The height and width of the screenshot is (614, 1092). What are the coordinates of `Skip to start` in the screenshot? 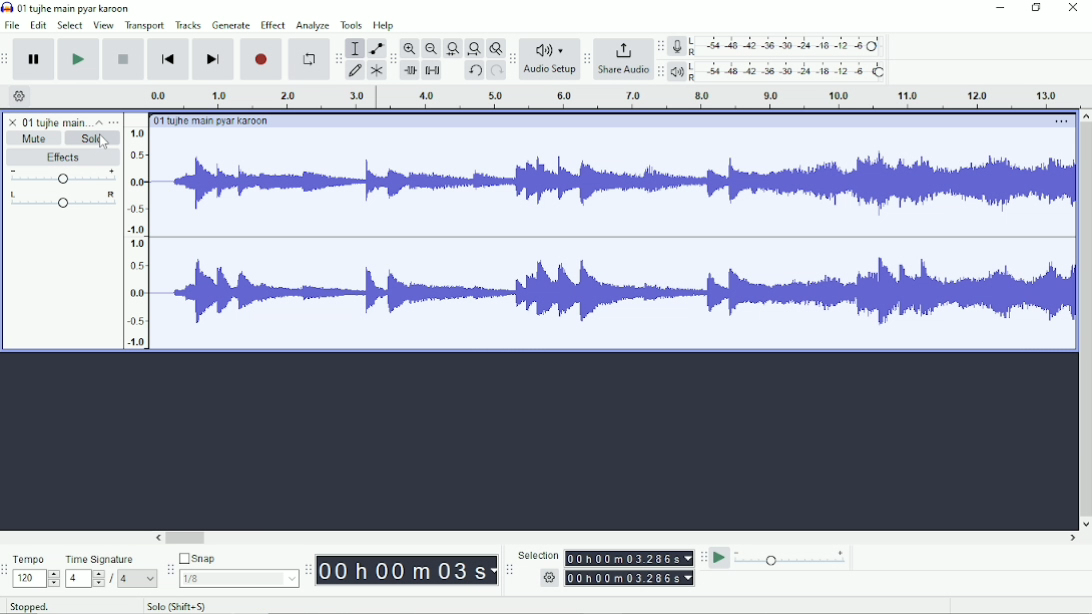 It's located at (168, 60).